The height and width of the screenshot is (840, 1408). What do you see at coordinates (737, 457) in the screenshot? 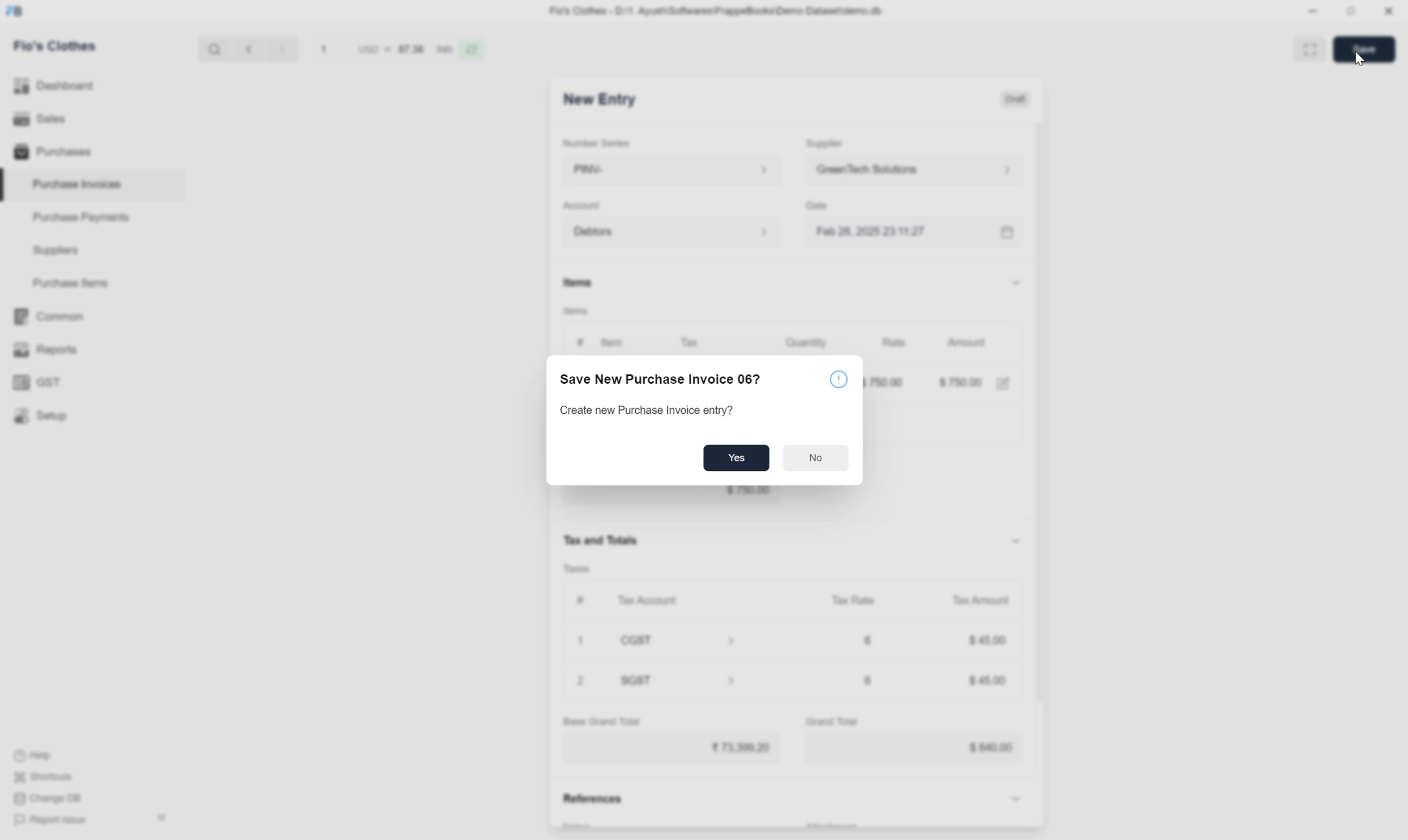
I see `Yes ` at bounding box center [737, 457].